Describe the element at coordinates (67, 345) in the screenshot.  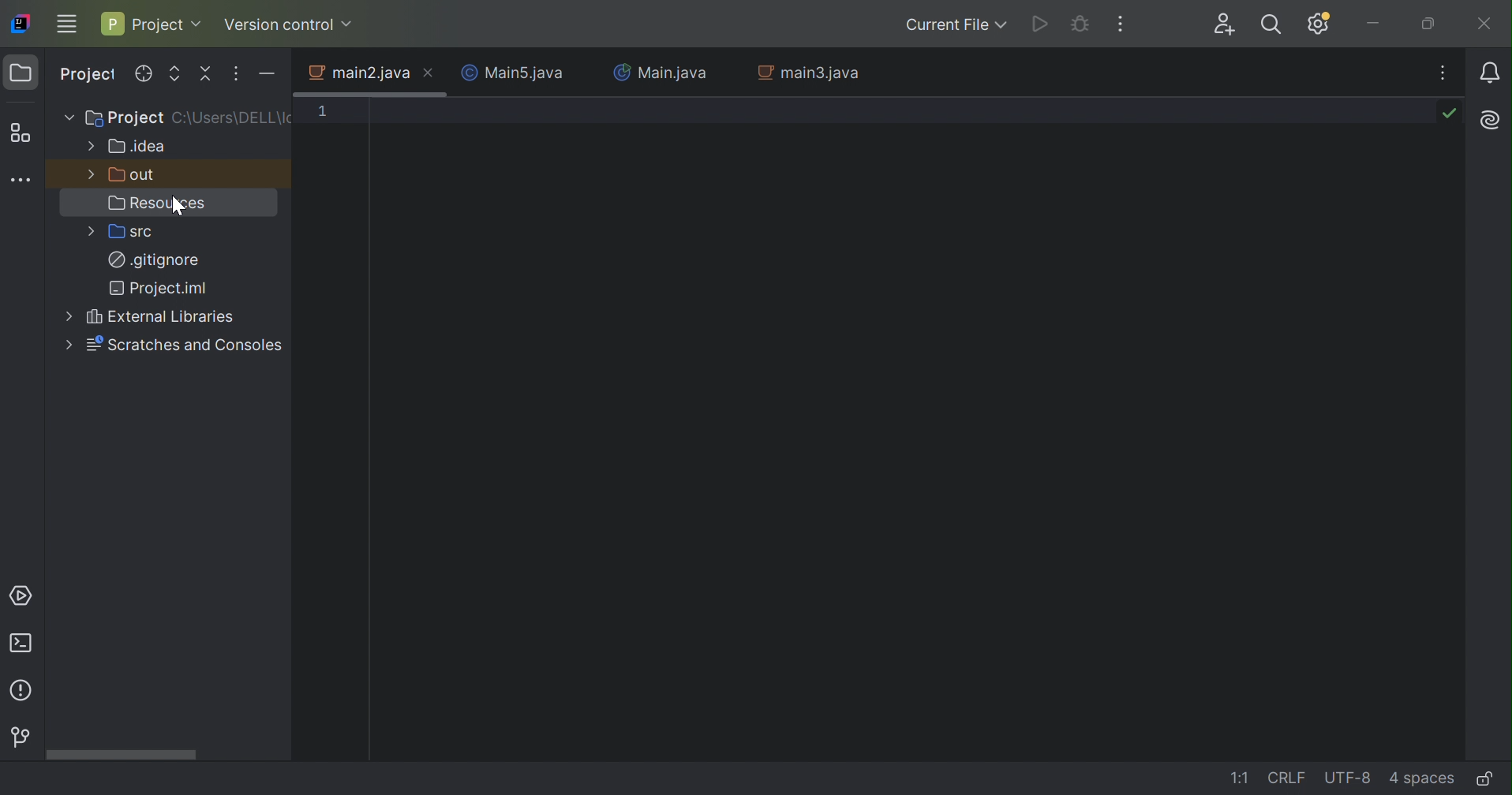
I see `More` at that location.